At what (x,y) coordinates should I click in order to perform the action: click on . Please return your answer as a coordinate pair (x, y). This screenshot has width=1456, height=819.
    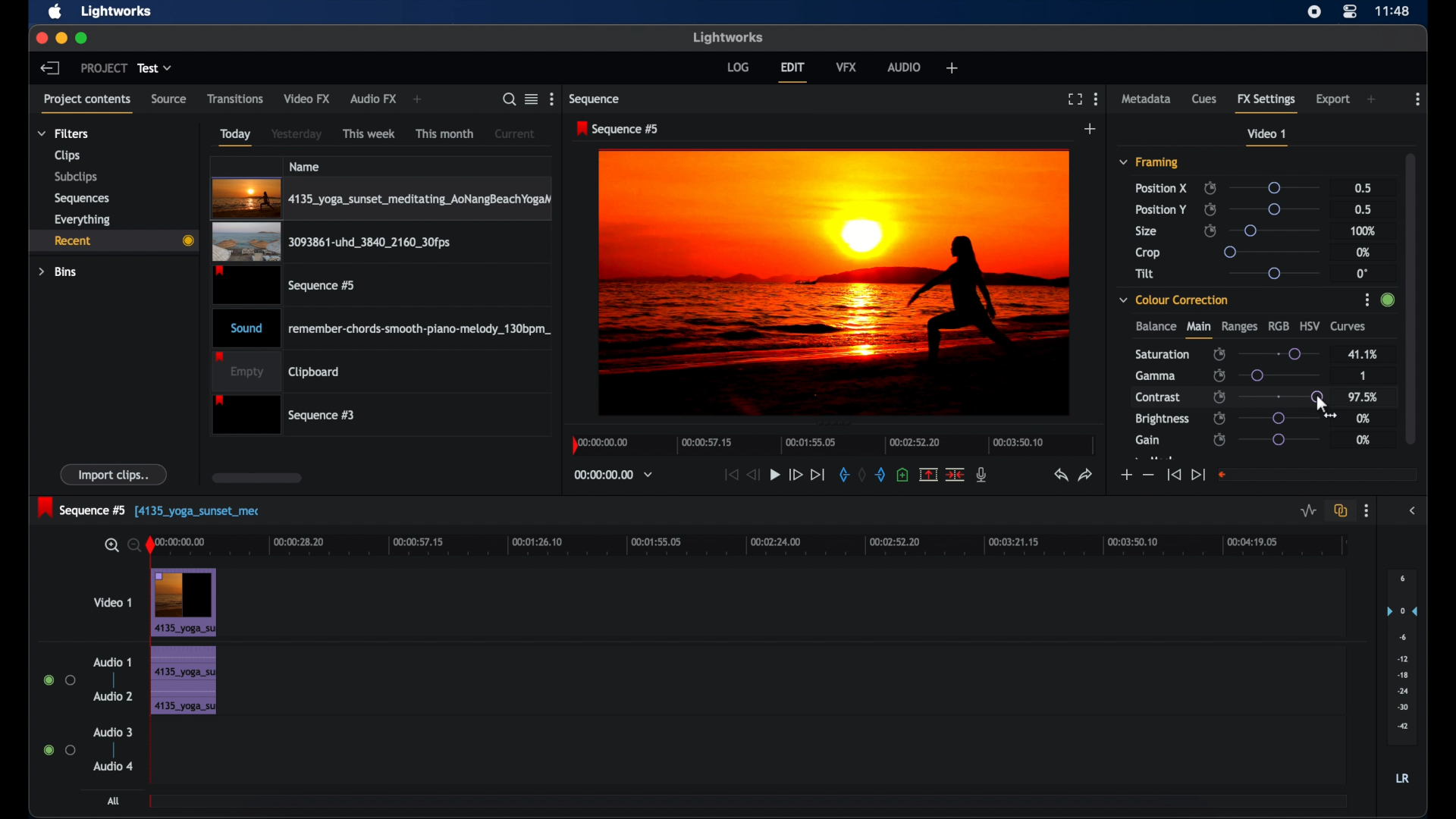
    Looking at the image, I should click on (1200, 330).